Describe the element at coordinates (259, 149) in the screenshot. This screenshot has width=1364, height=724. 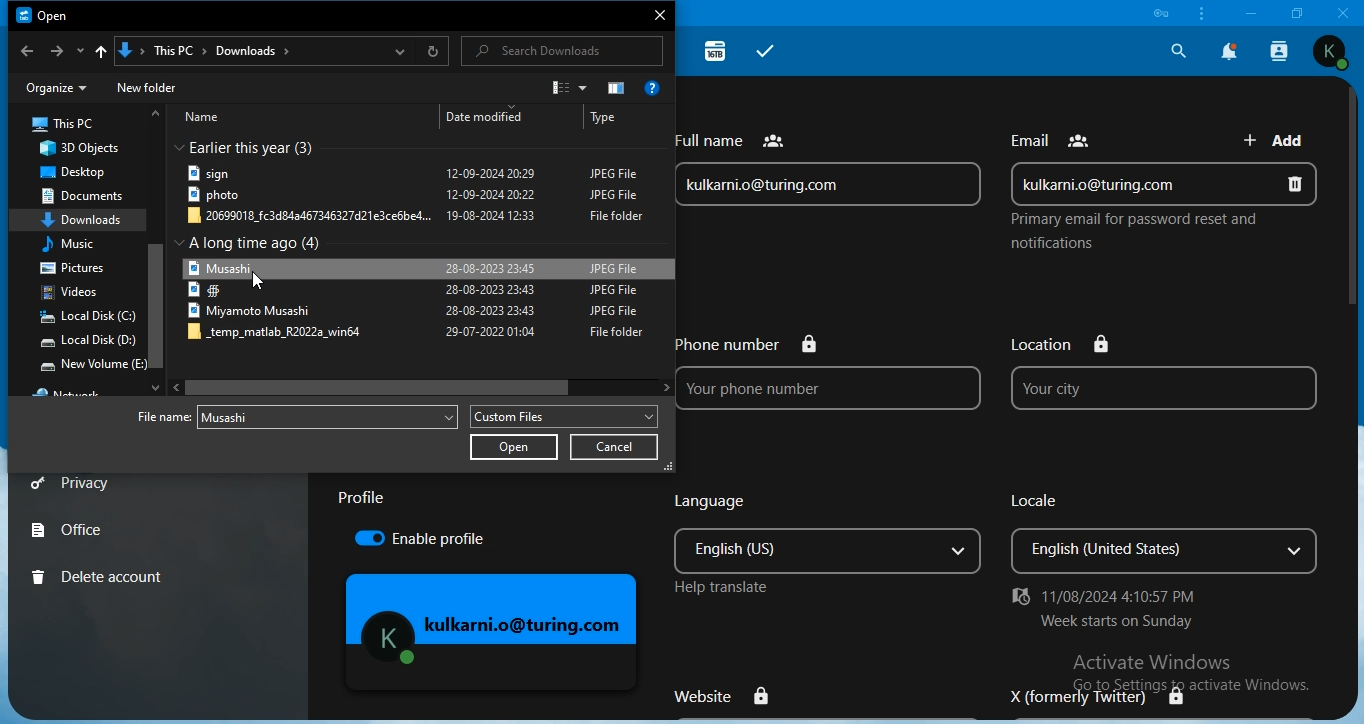
I see `earlier this year` at that location.